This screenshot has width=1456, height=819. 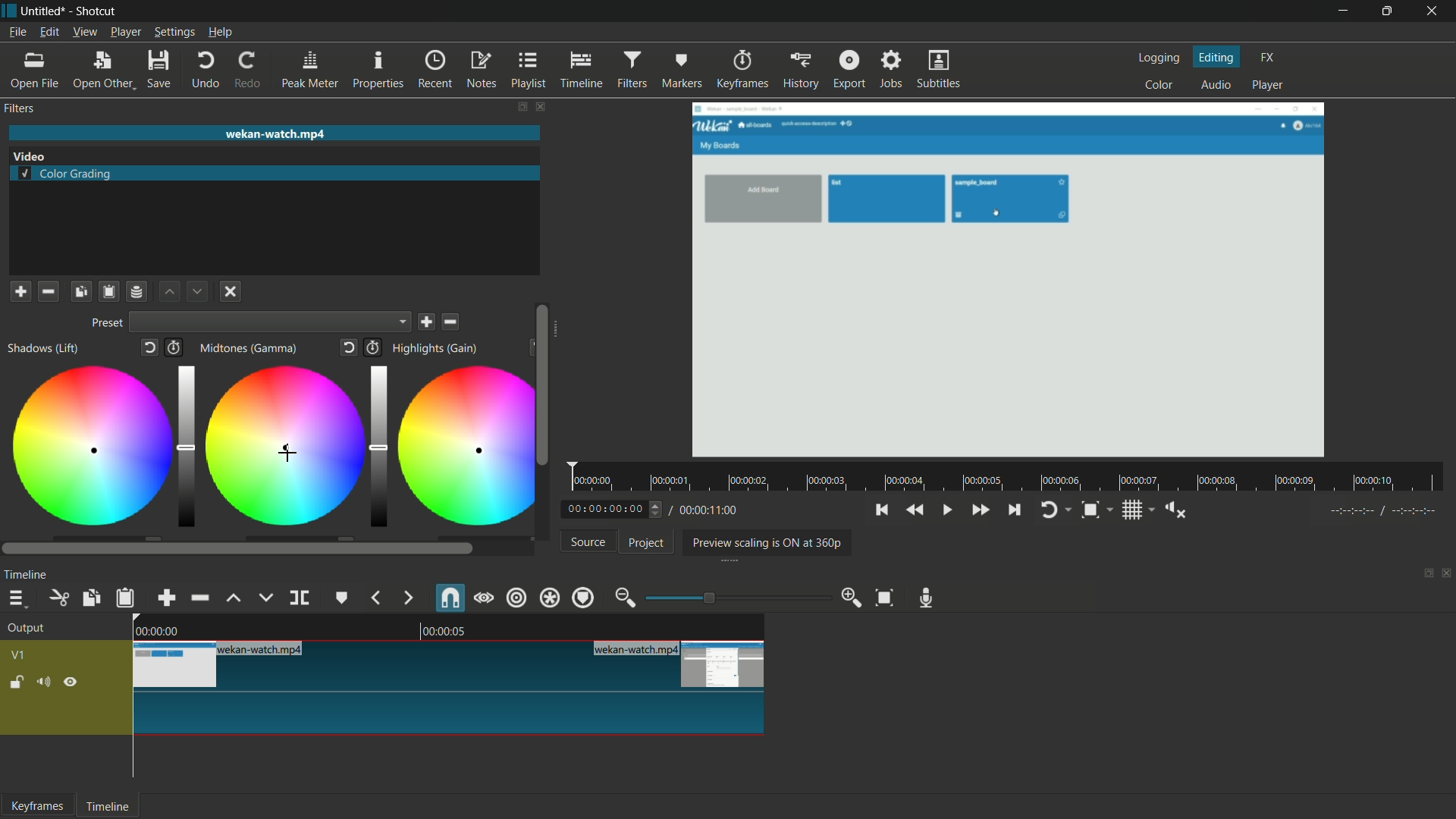 What do you see at coordinates (168, 292) in the screenshot?
I see `move filter up` at bounding box center [168, 292].